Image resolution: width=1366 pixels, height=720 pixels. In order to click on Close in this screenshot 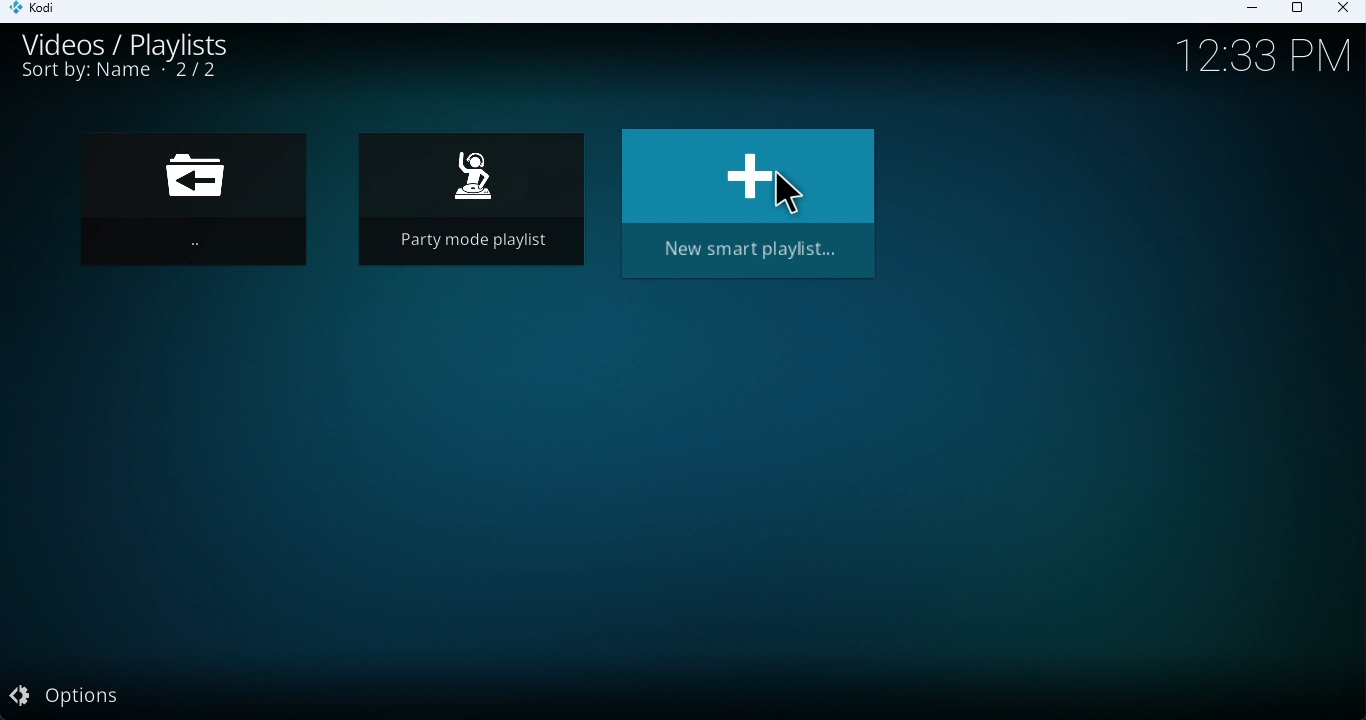, I will do `click(1346, 12)`.